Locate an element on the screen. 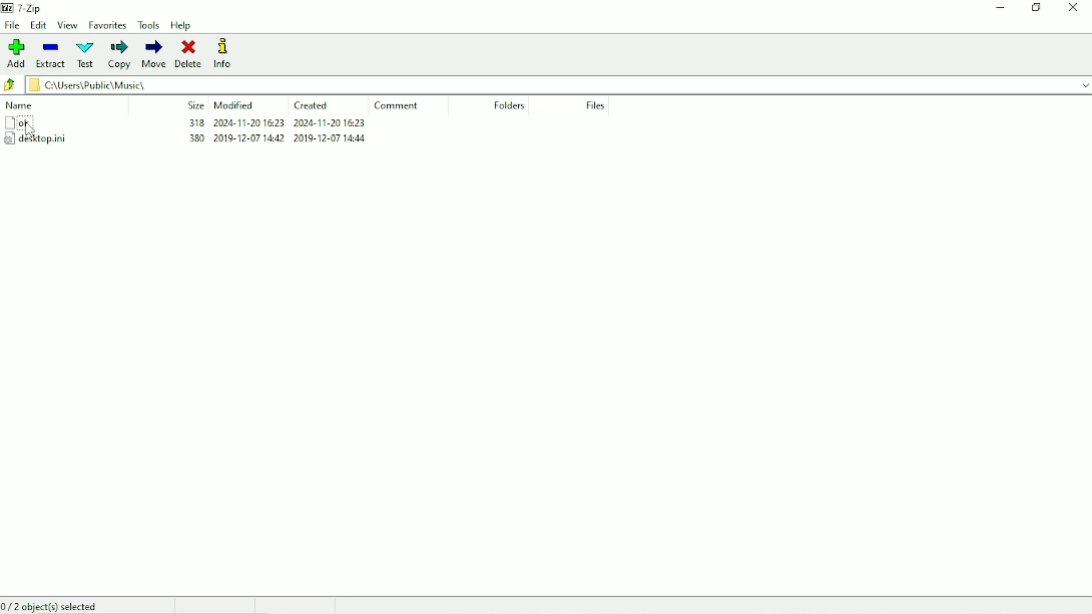  0/2 object(S) selected is located at coordinates (53, 605).